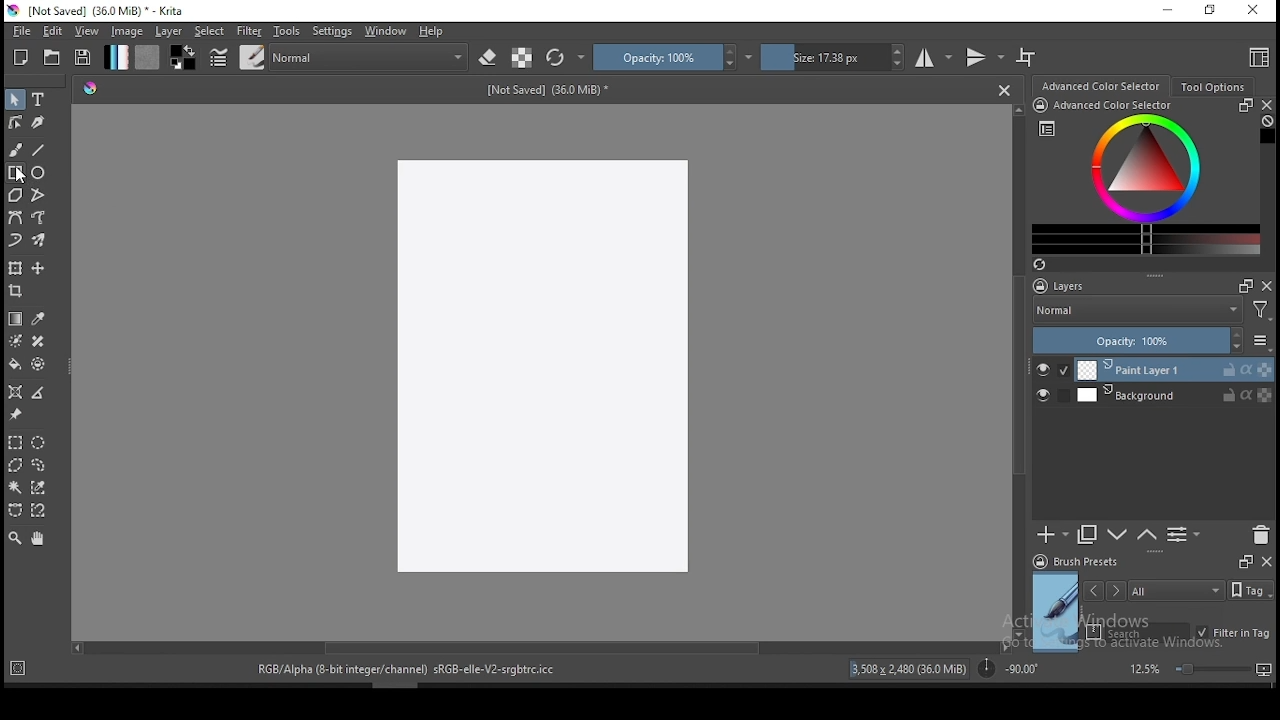 Image resolution: width=1280 pixels, height=720 pixels. I want to click on  close window, so click(1255, 11).